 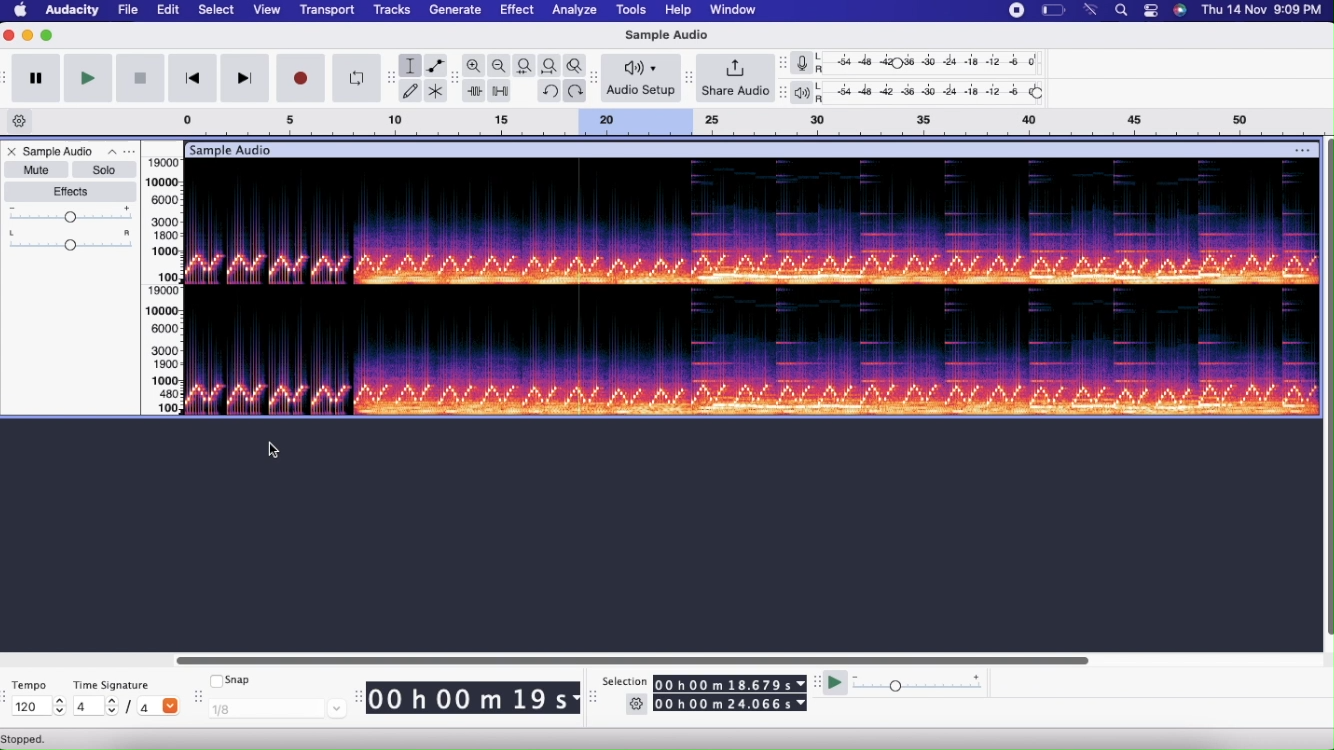 What do you see at coordinates (62, 150) in the screenshot?
I see `Sample Audio` at bounding box center [62, 150].